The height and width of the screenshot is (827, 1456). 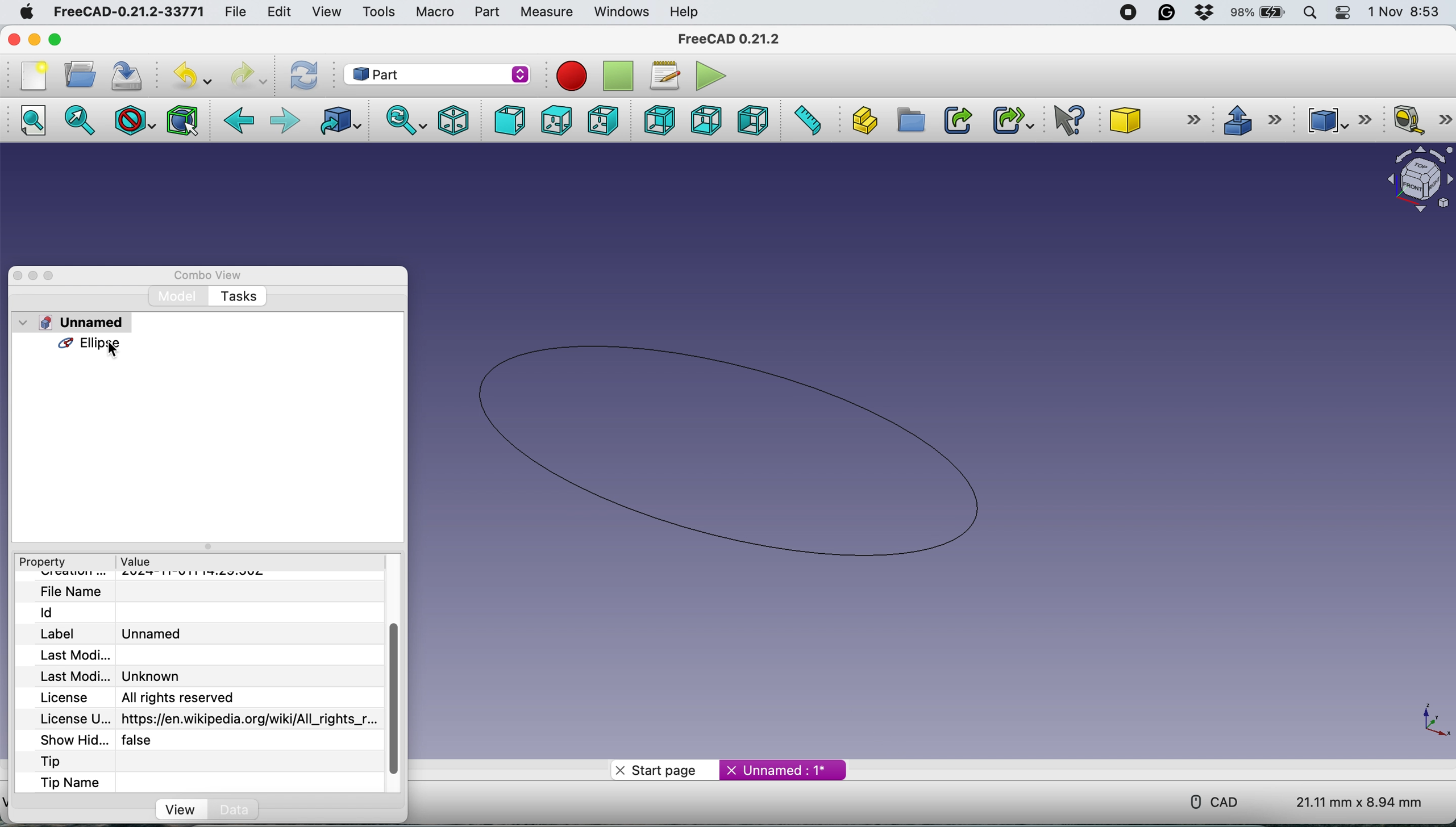 I want to click on go to linked object, so click(x=337, y=120).